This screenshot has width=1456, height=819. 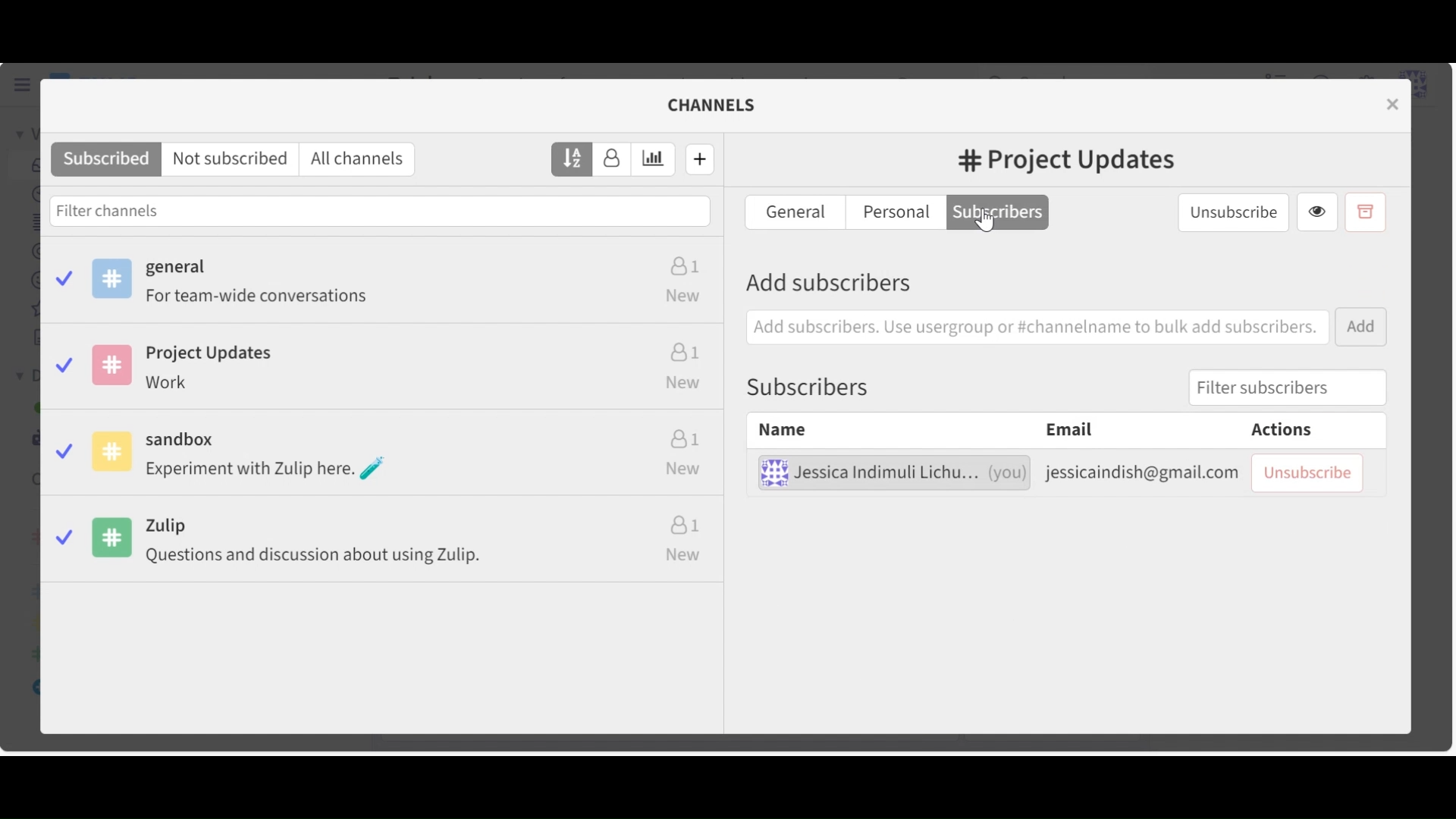 What do you see at coordinates (998, 212) in the screenshot?
I see `Subscribers` at bounding box center [998, 212].